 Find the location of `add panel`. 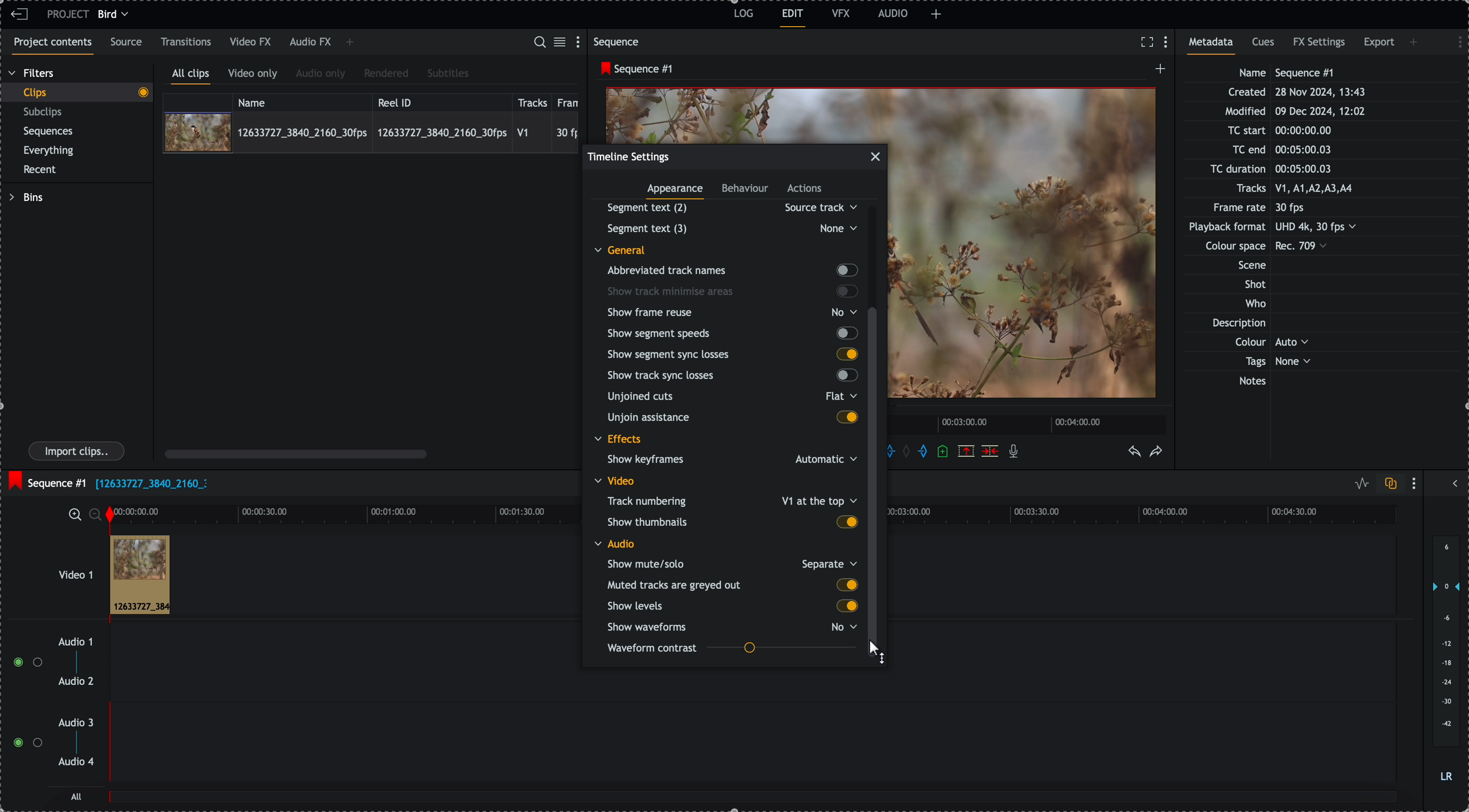

add panel is located at coordinates (936, 14).